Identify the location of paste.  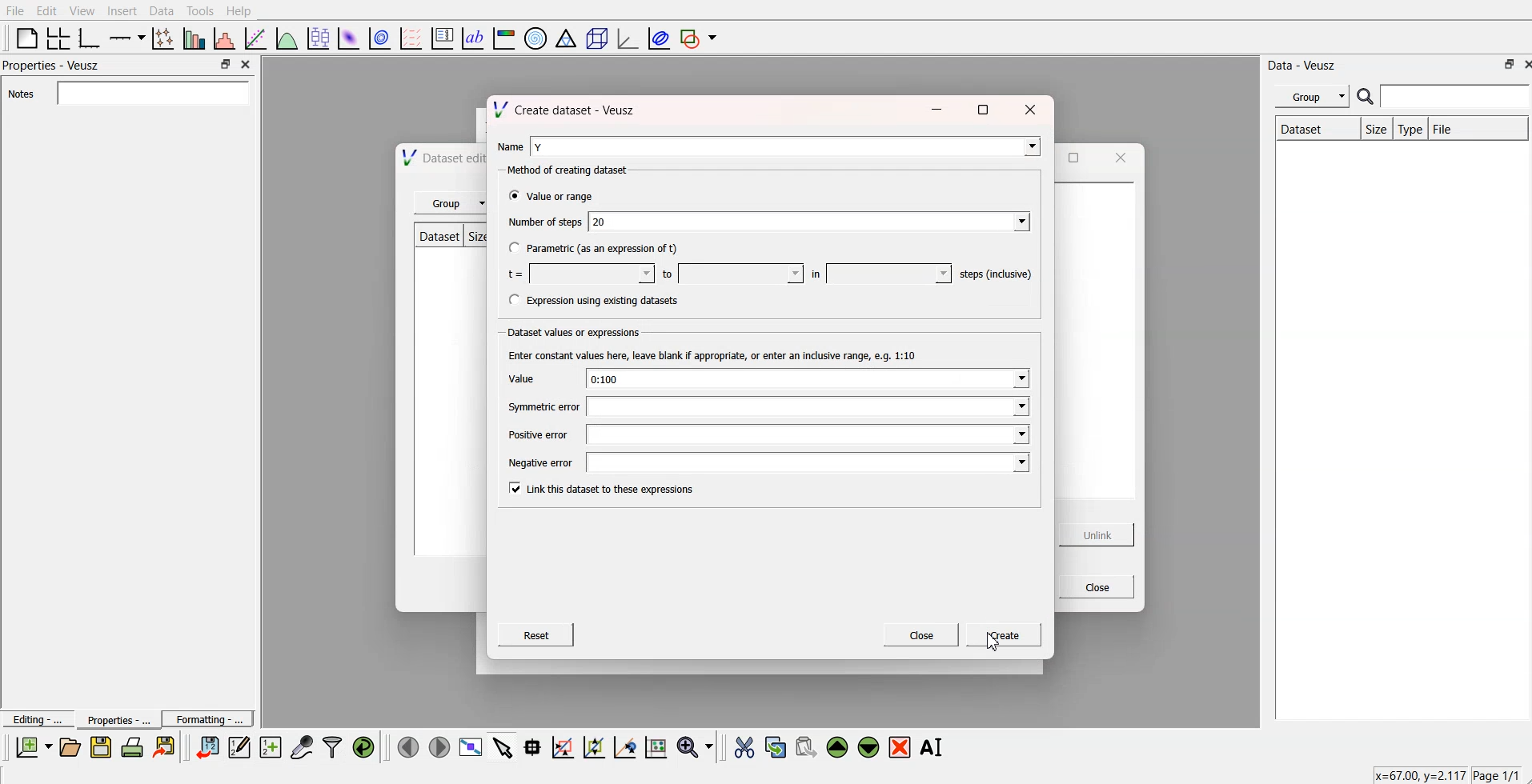
(807, 745).